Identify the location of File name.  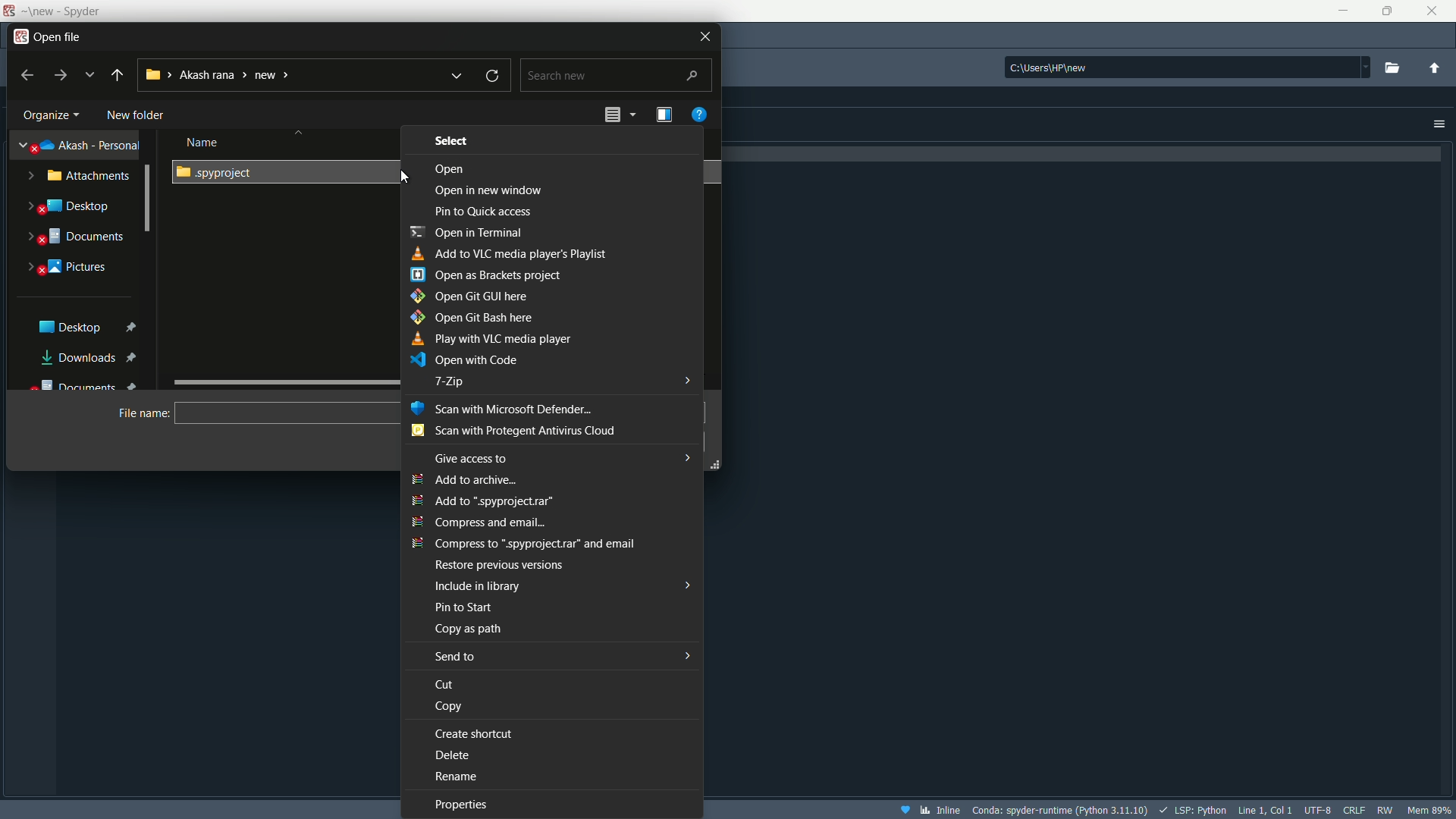
(142, 413).